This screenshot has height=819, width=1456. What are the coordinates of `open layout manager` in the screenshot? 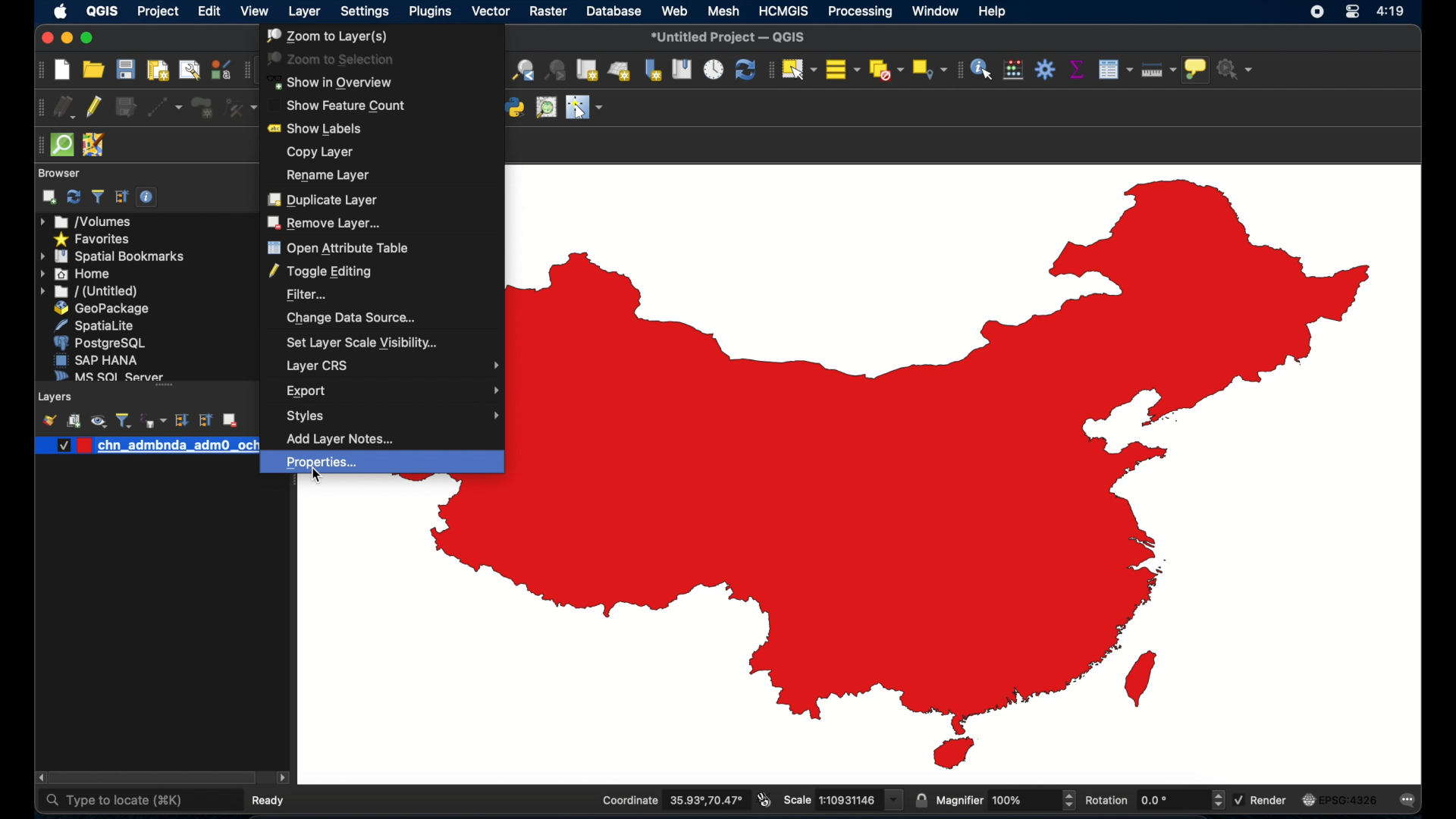 It's located at (188, 71).